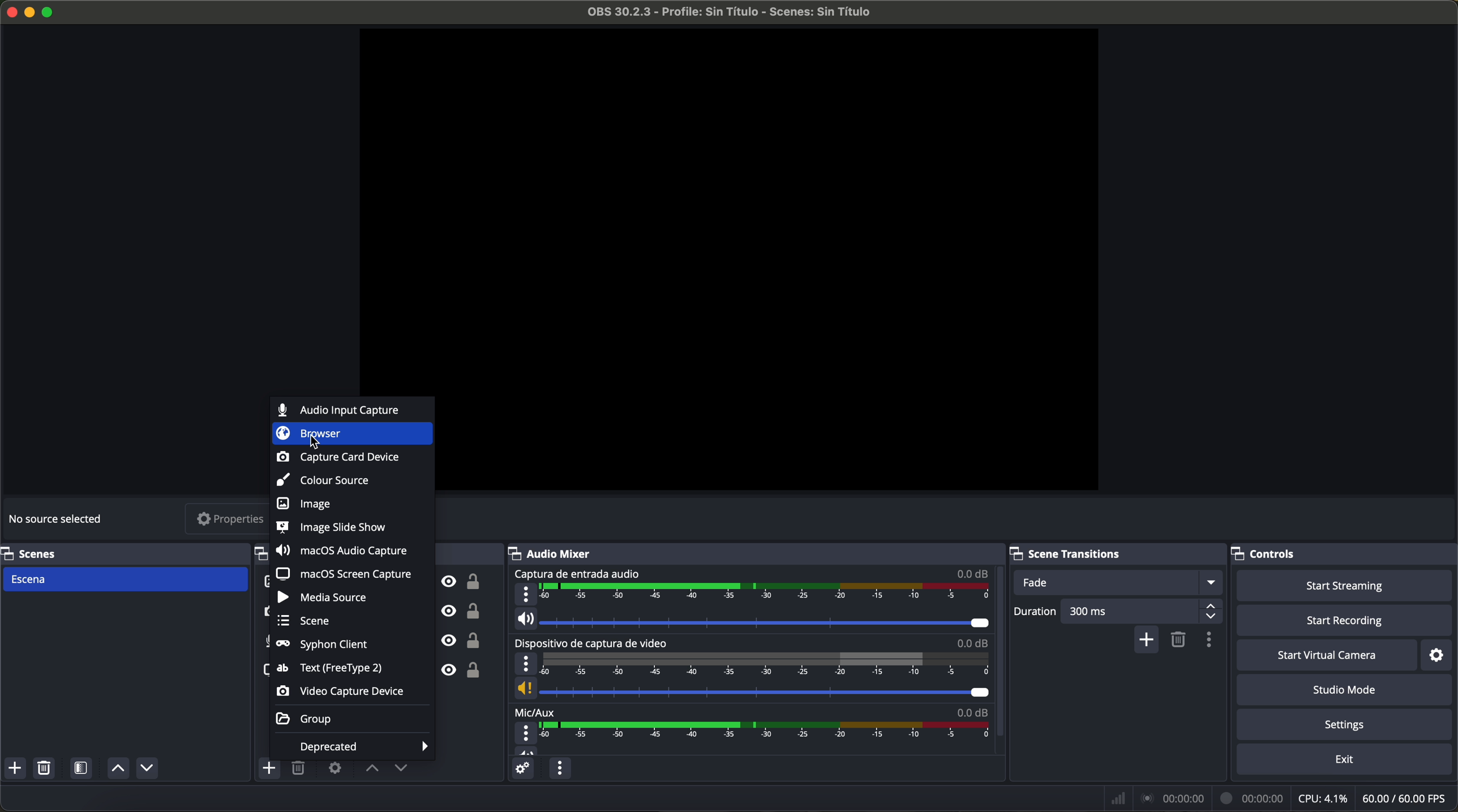 Image resolution: width=1458 pixels, height=812 pixels. I want to click on minimize program, so click(29, 14).